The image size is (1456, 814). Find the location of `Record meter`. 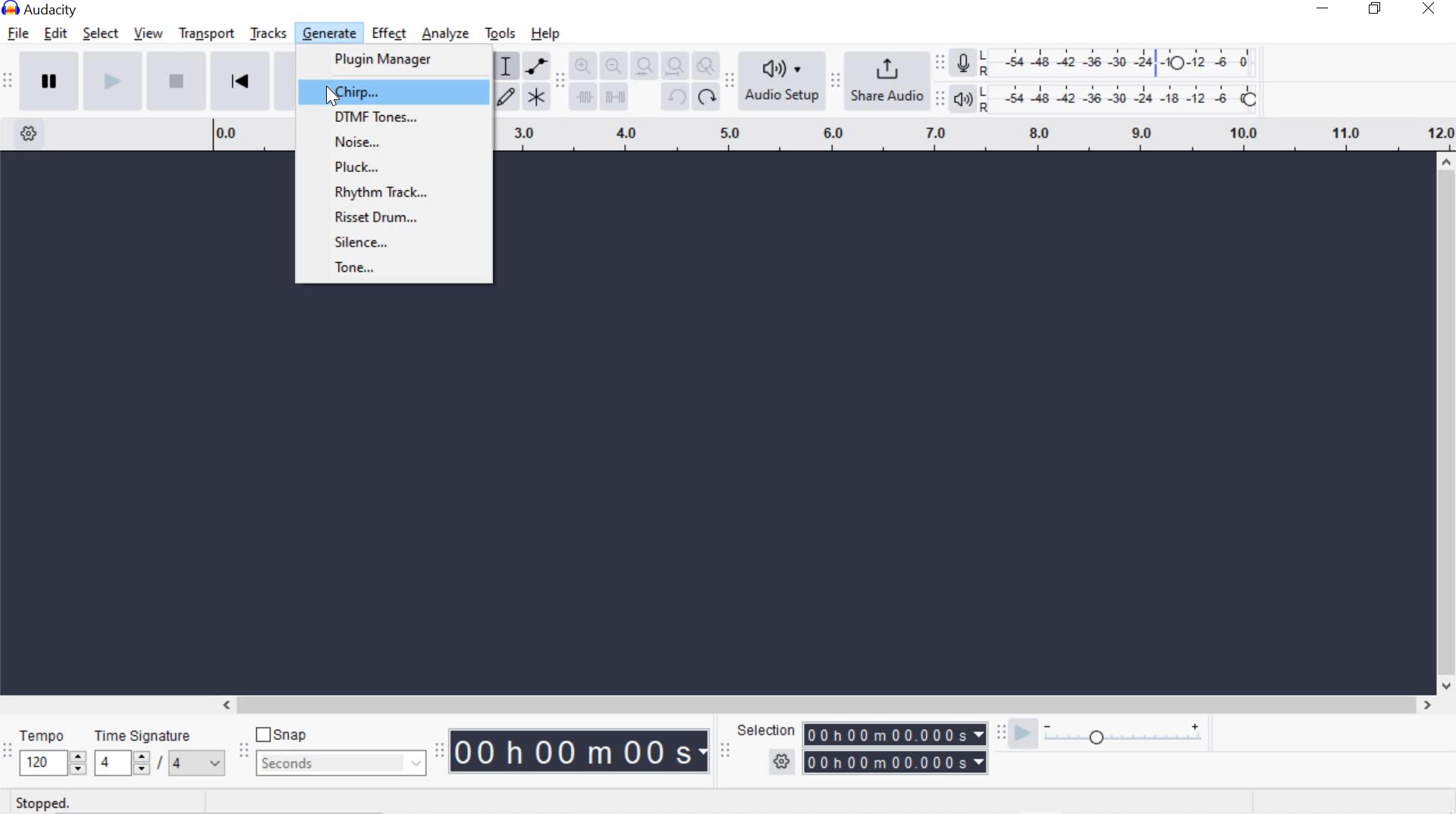

Record meter is located at coordinates (966, 64).